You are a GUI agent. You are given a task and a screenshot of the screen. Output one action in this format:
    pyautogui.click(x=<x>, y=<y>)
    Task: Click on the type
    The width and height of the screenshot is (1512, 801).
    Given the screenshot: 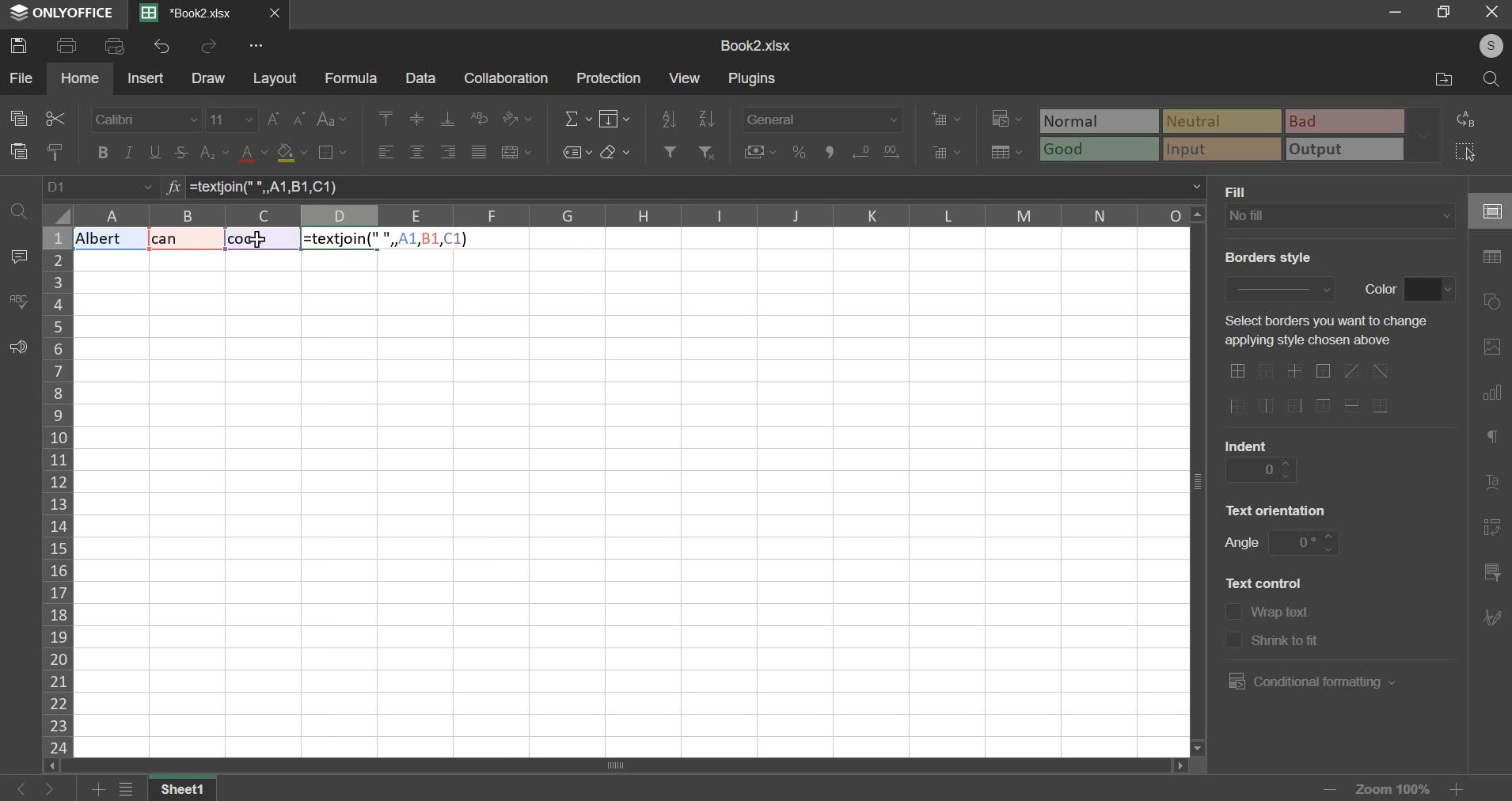 What is the action you would take?
    pyautogui.click(x=1241, y=135)
    